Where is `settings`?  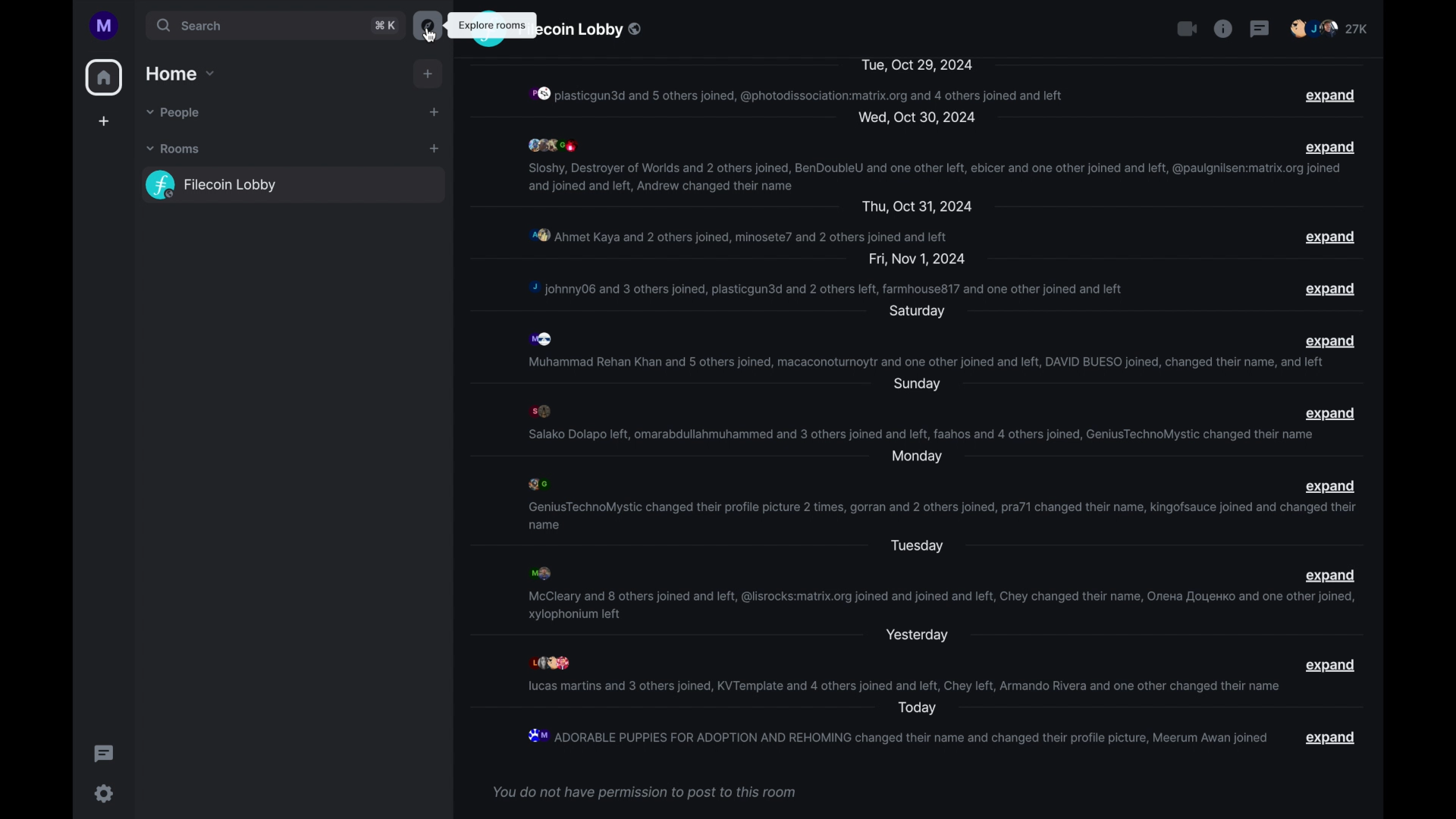
settings is located at coordinates (105, 793).